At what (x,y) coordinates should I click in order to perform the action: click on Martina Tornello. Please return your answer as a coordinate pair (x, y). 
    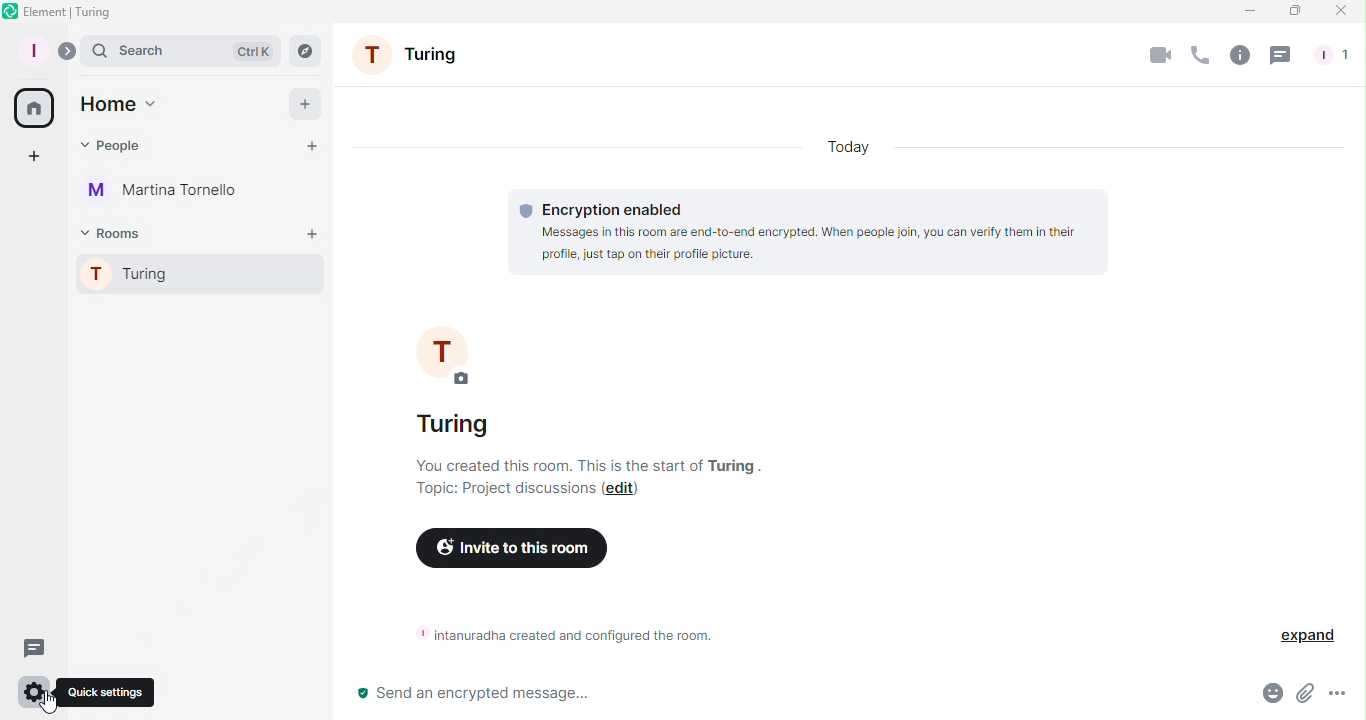
    Looking at the image, I should click on (165, 195).